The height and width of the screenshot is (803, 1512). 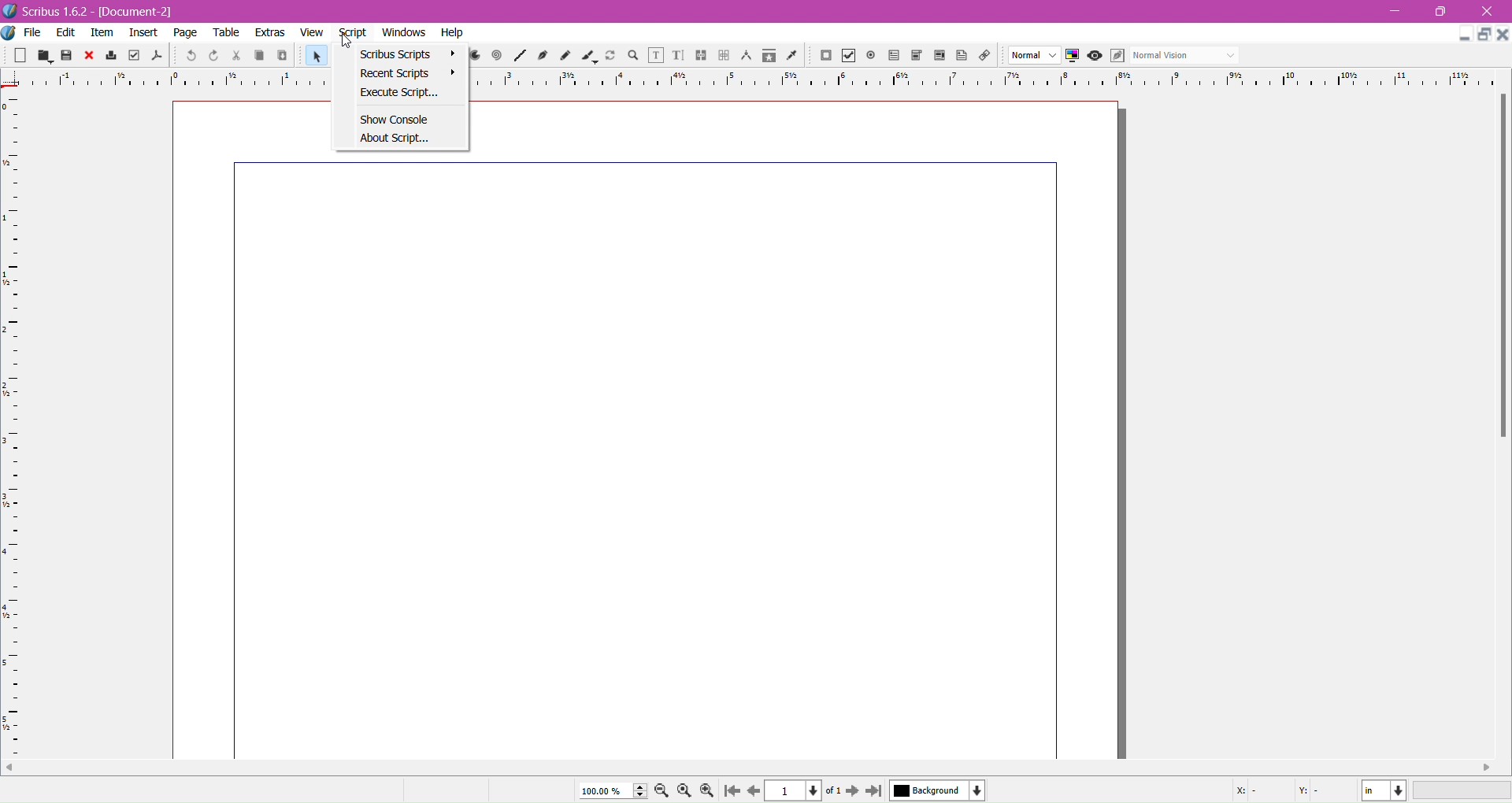 I want to click on Link Annotations, so click(x=984, y=56).